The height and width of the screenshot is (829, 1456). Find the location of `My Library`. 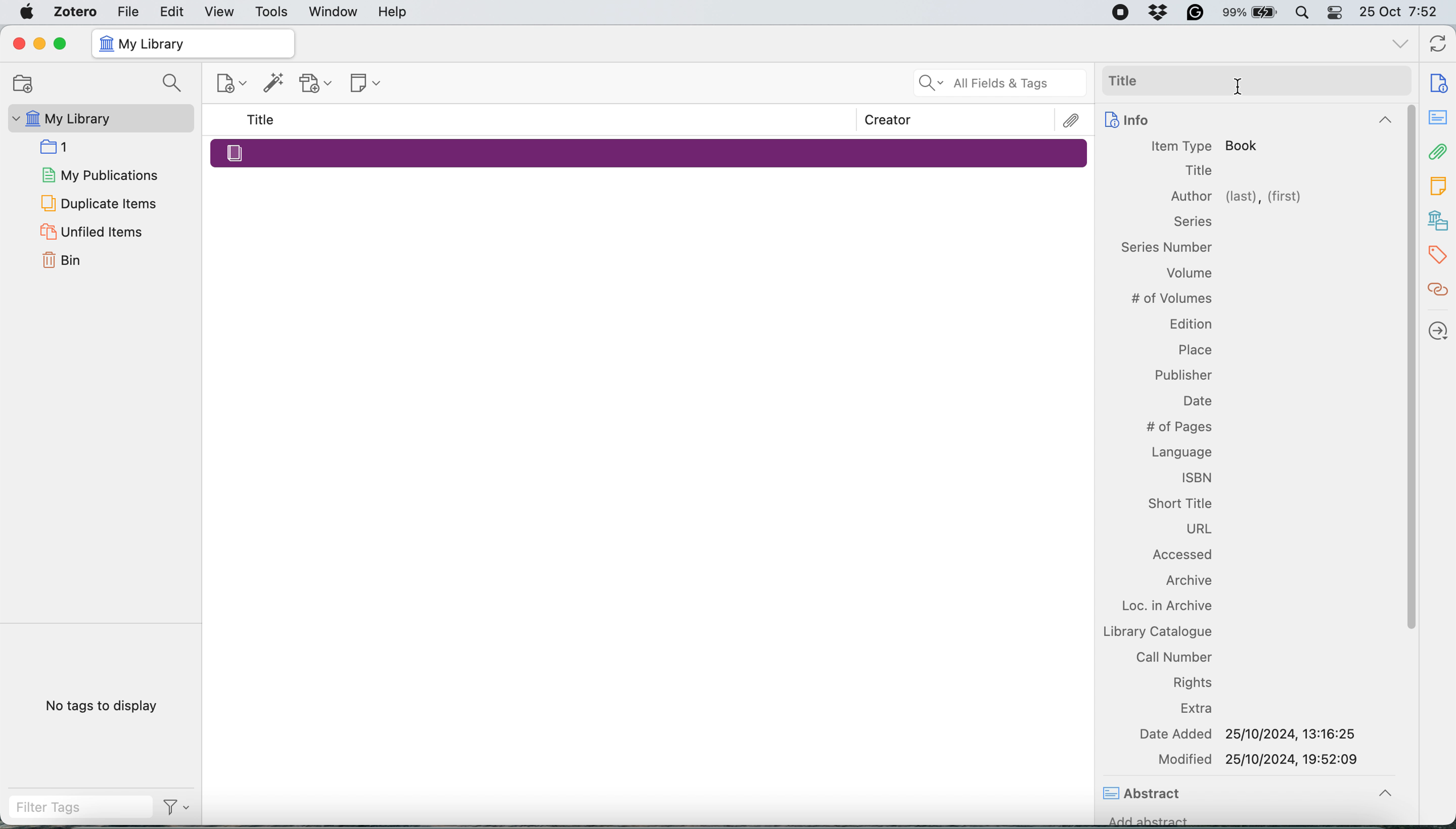

My Library is located at coordinates (99, 118).